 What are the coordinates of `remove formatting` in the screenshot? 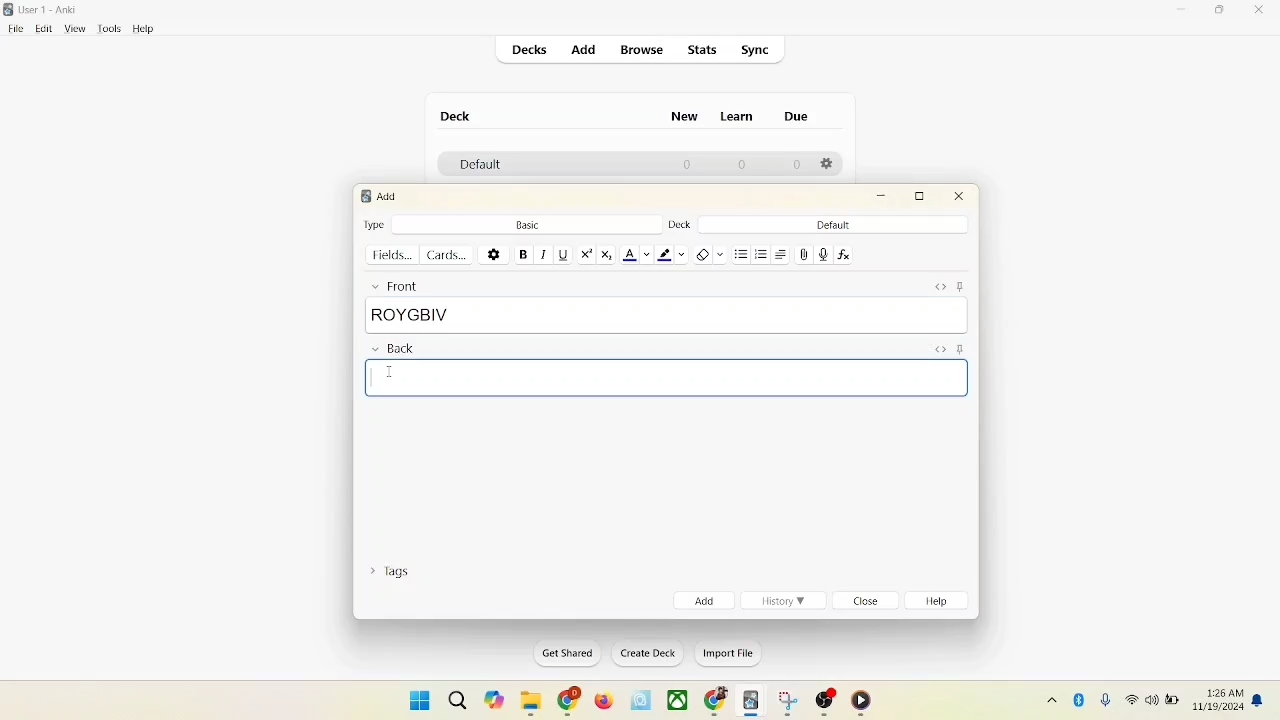 It's located at (708, 253).